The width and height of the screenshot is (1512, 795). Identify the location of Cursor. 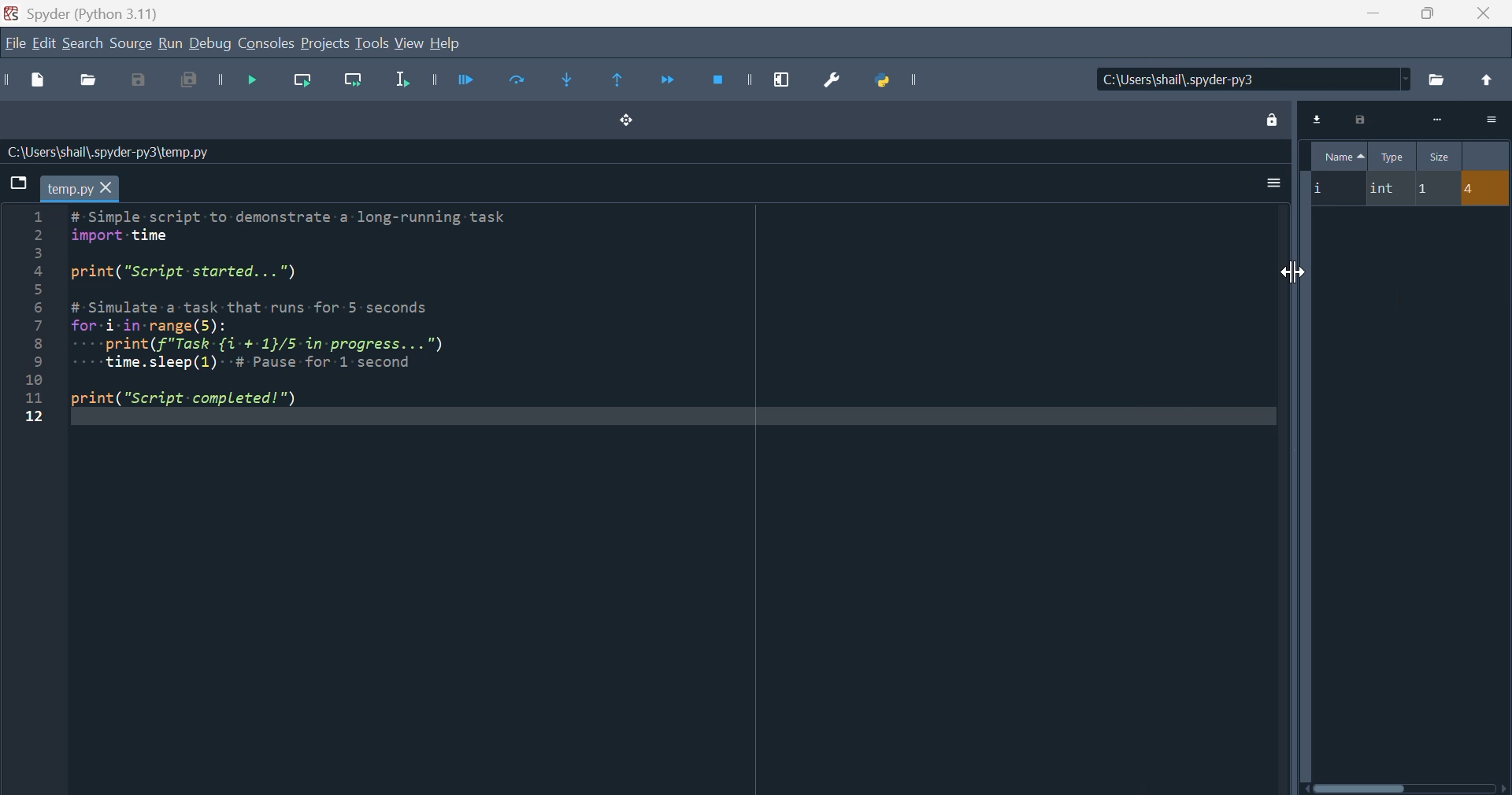
(1289, 268).